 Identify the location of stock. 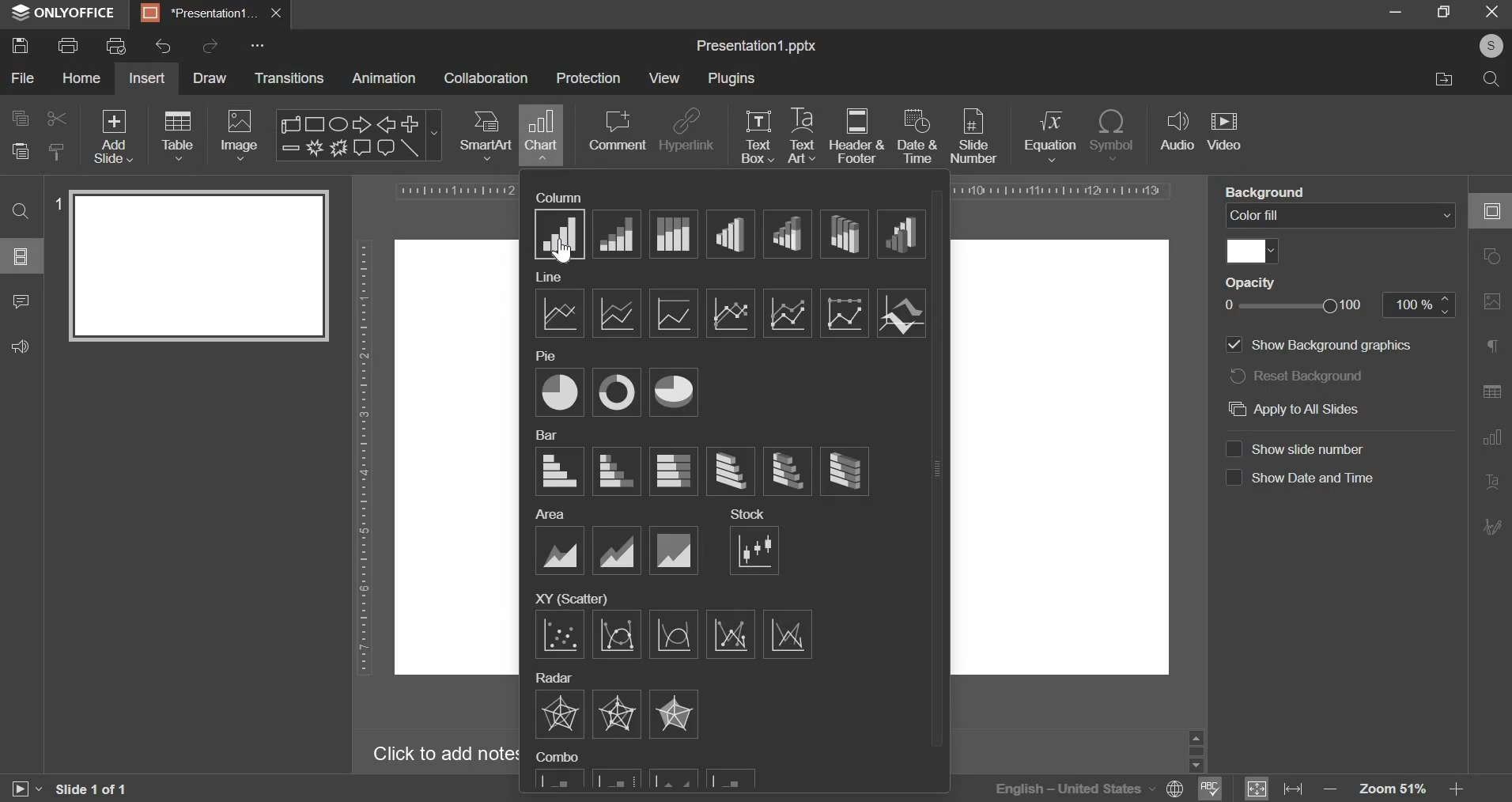
(754, 550).